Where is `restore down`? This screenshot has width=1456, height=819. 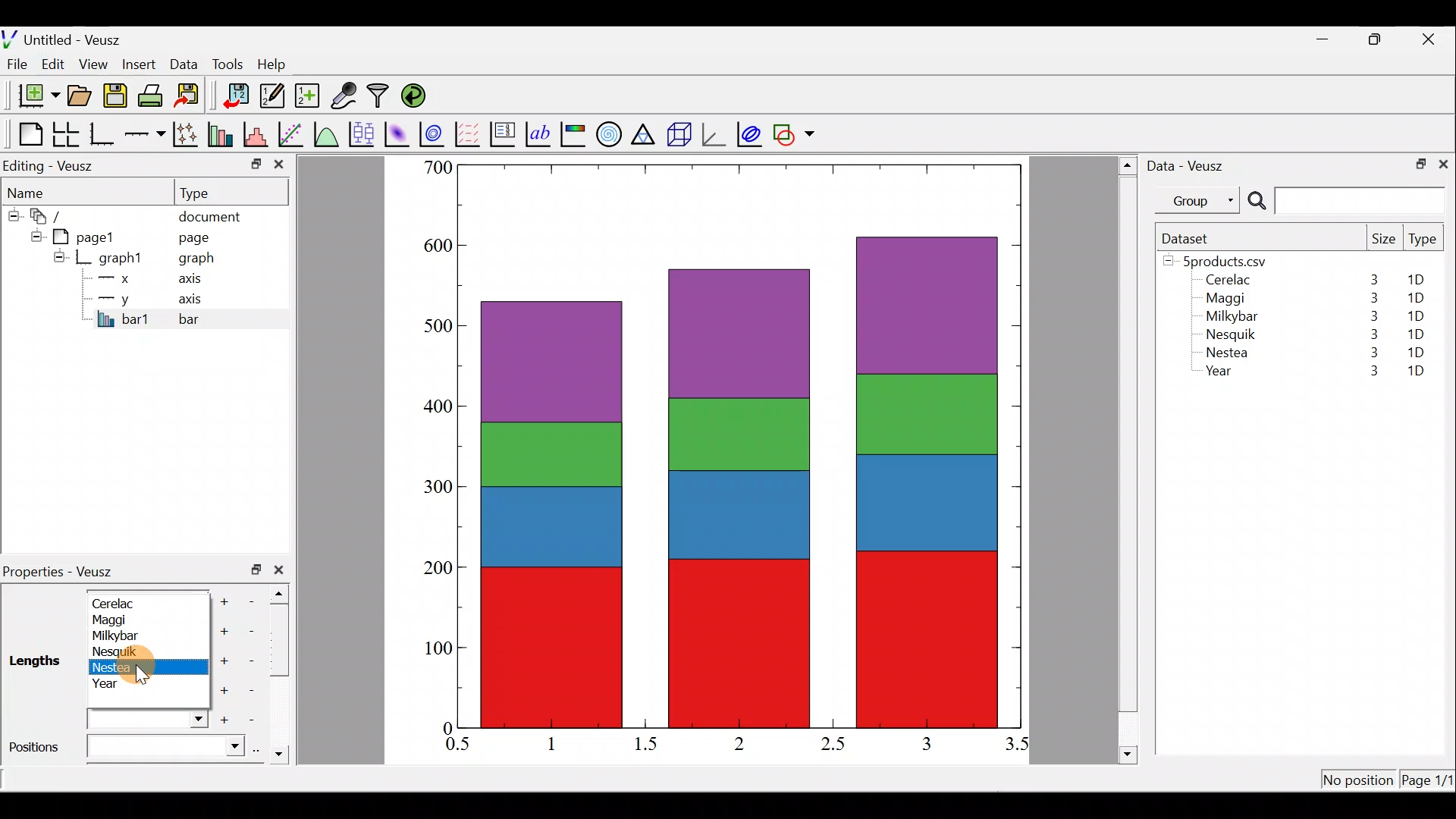 restore down is located at coordinates (1377, 39).